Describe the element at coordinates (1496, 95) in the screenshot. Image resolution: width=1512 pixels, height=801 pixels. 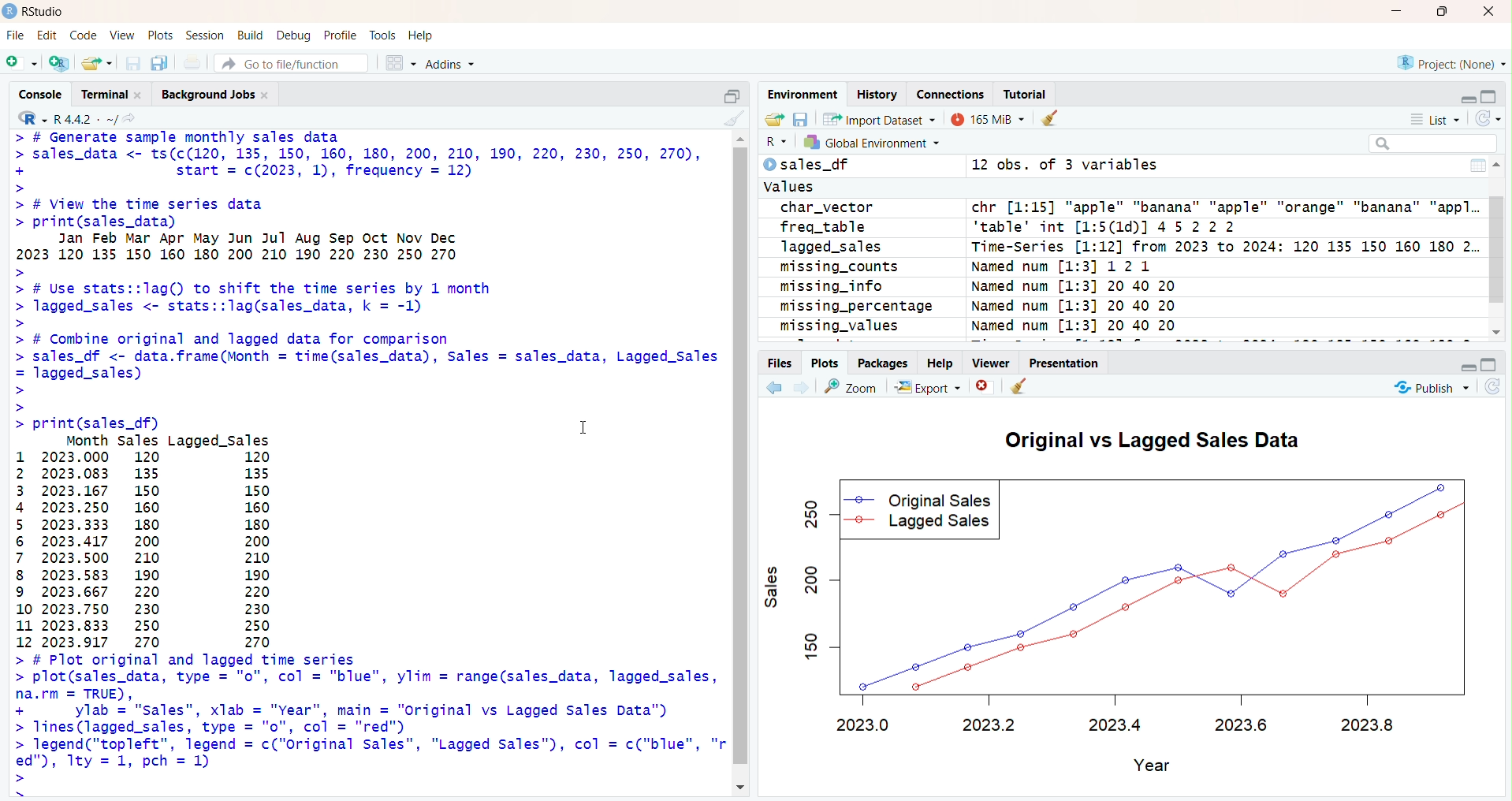
I see `collapse` at that location.